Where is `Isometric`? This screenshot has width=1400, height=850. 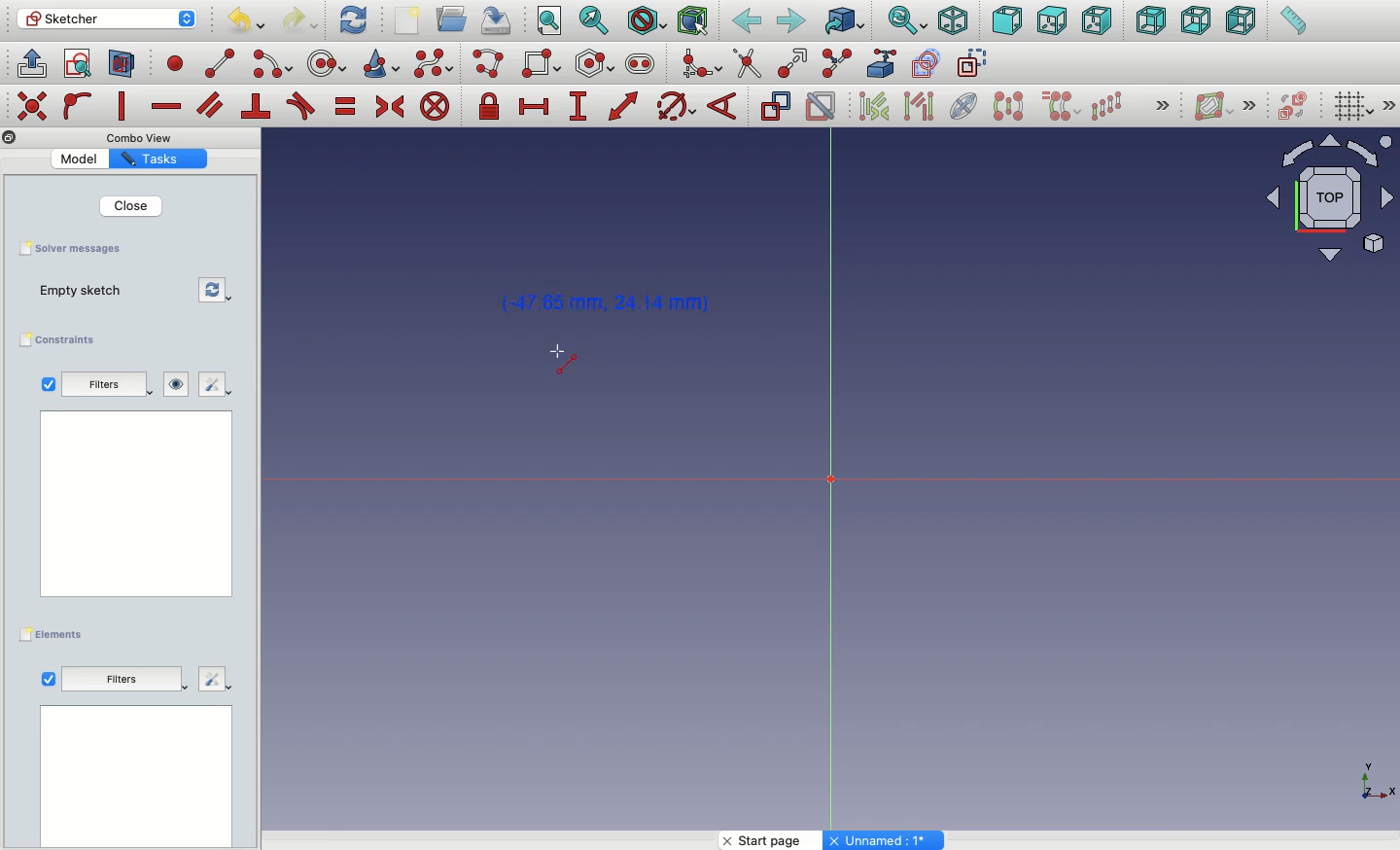 Isometric is located at coordinates (953, 20).